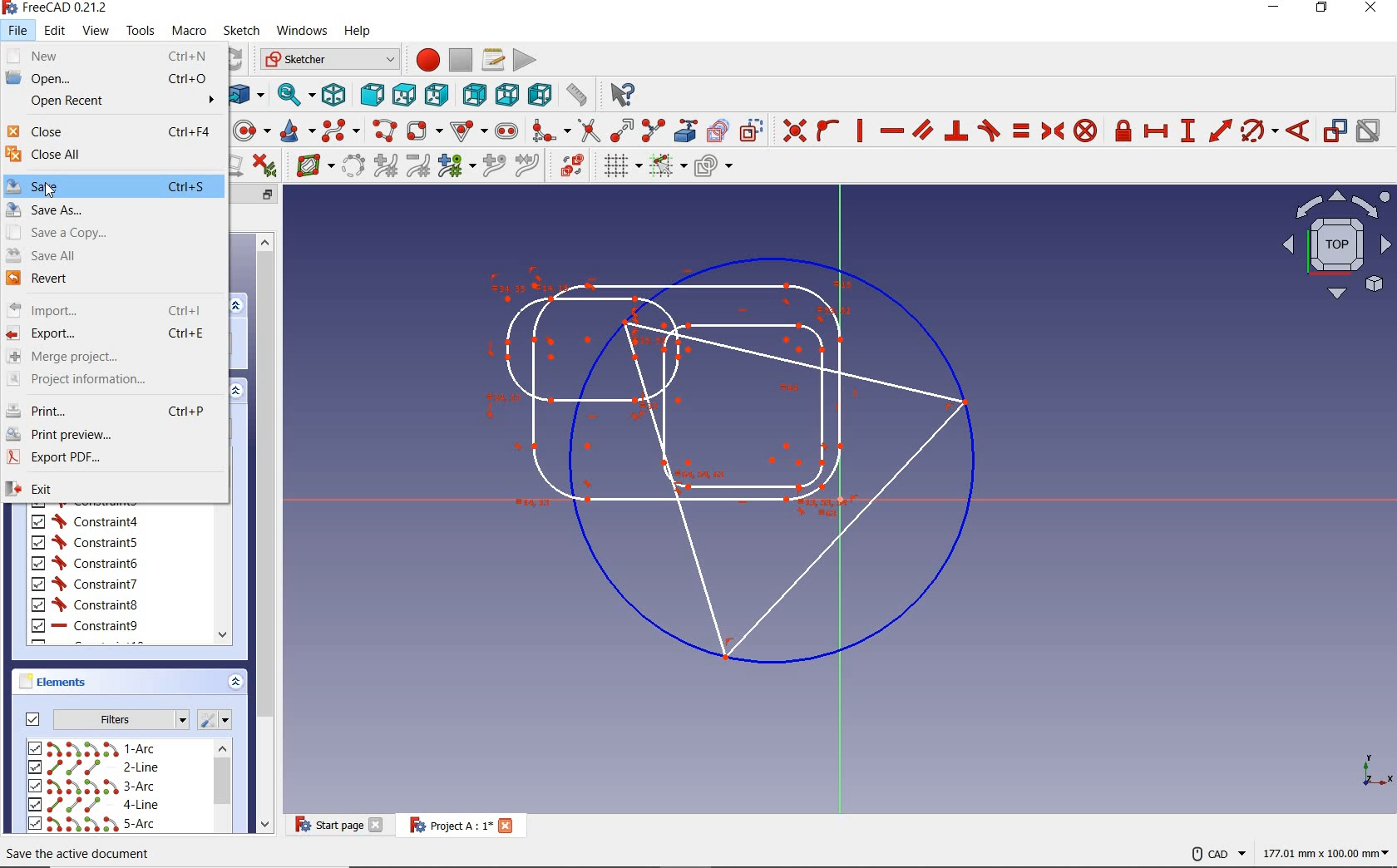  What do you see at coordinates (446, 825) in the screenshot?
I see `project A:1*` at bounding box center [446, 825].